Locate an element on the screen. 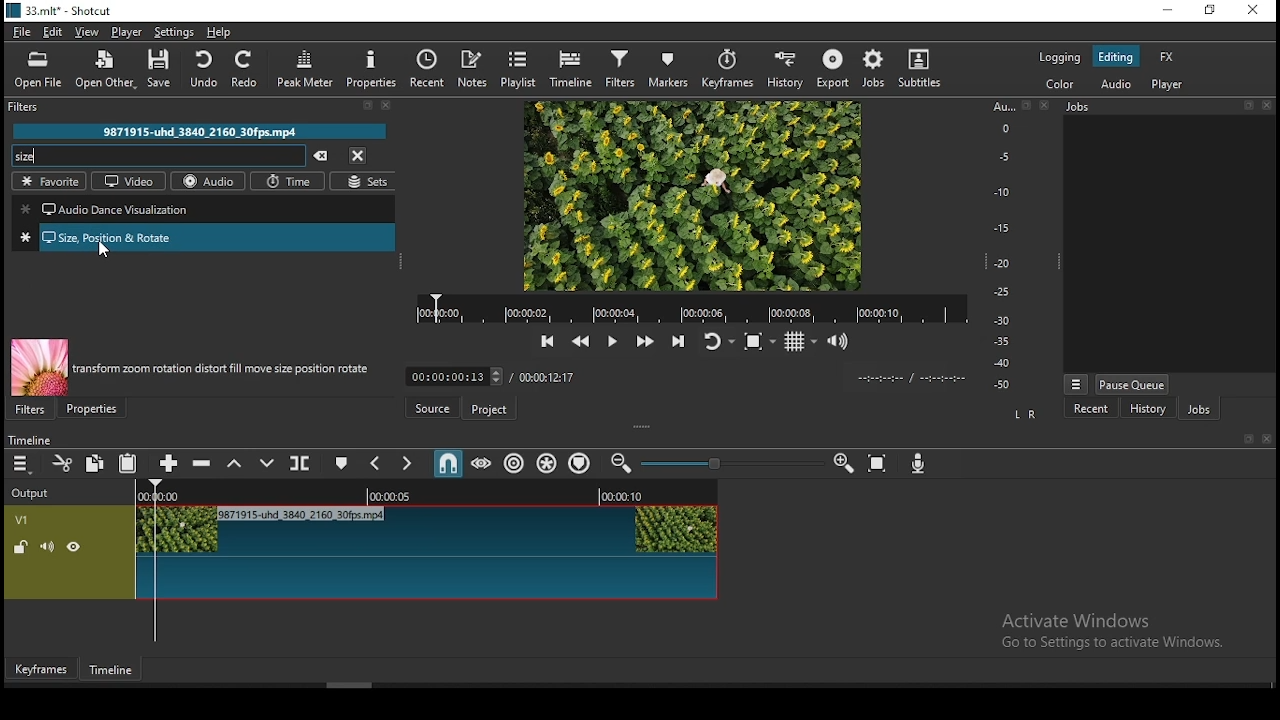  zoom timeine in is located at coordinates (844, 465).